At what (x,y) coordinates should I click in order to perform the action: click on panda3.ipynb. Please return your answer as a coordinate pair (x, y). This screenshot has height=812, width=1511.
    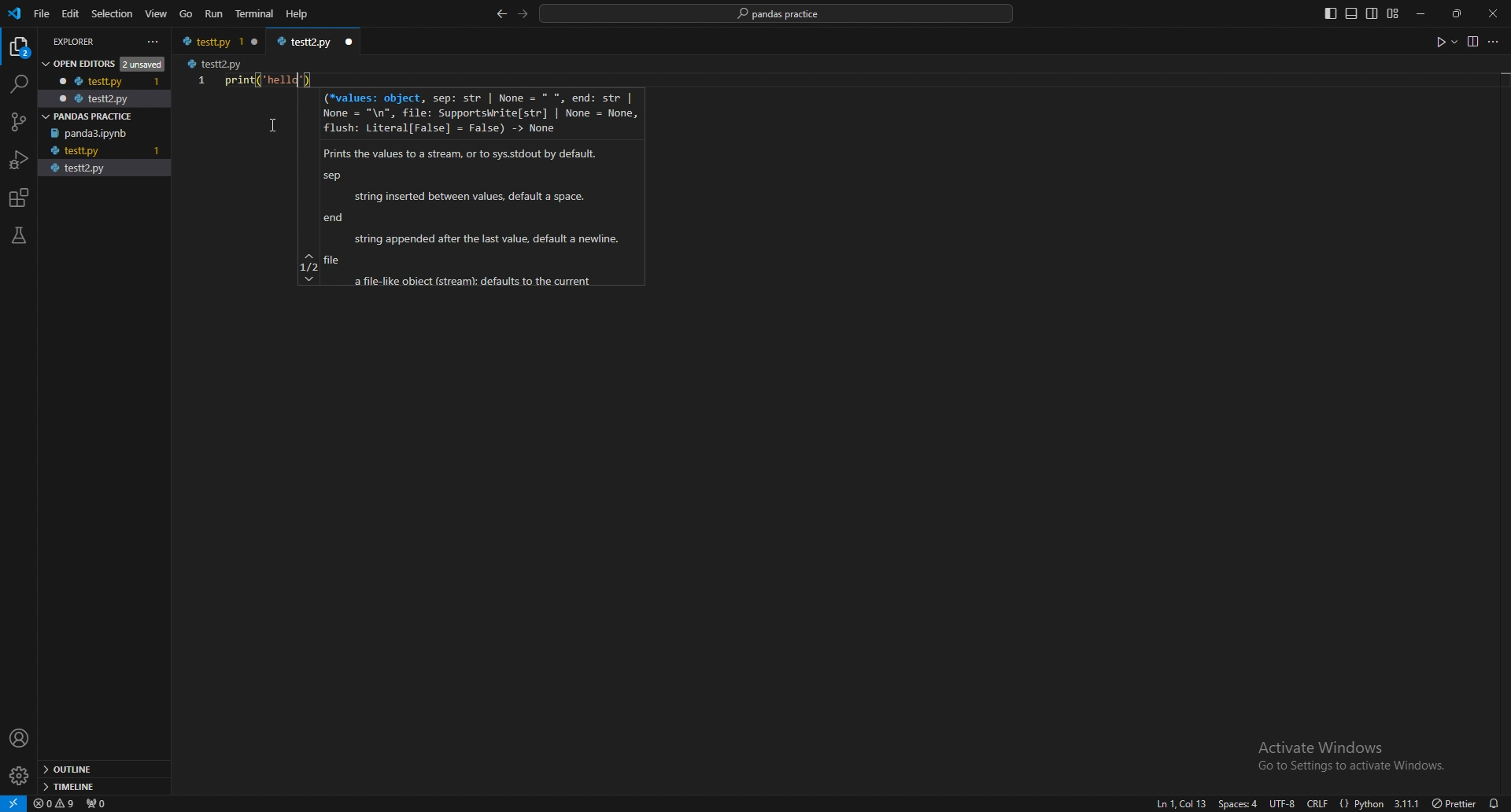
    Looking at the image, I should click on (97, 134).